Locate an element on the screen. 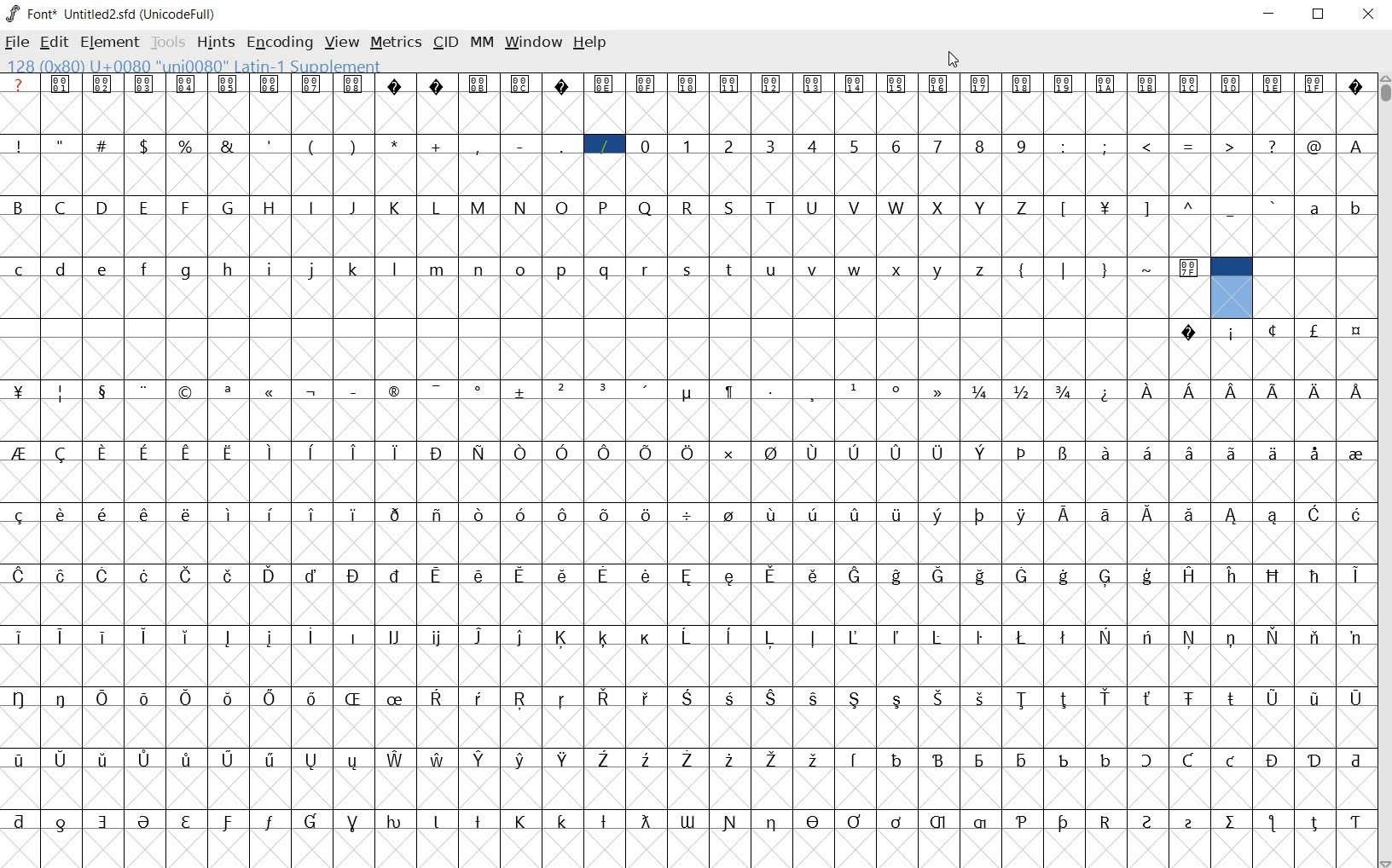  Symbol is located at coordinates (270, 637).